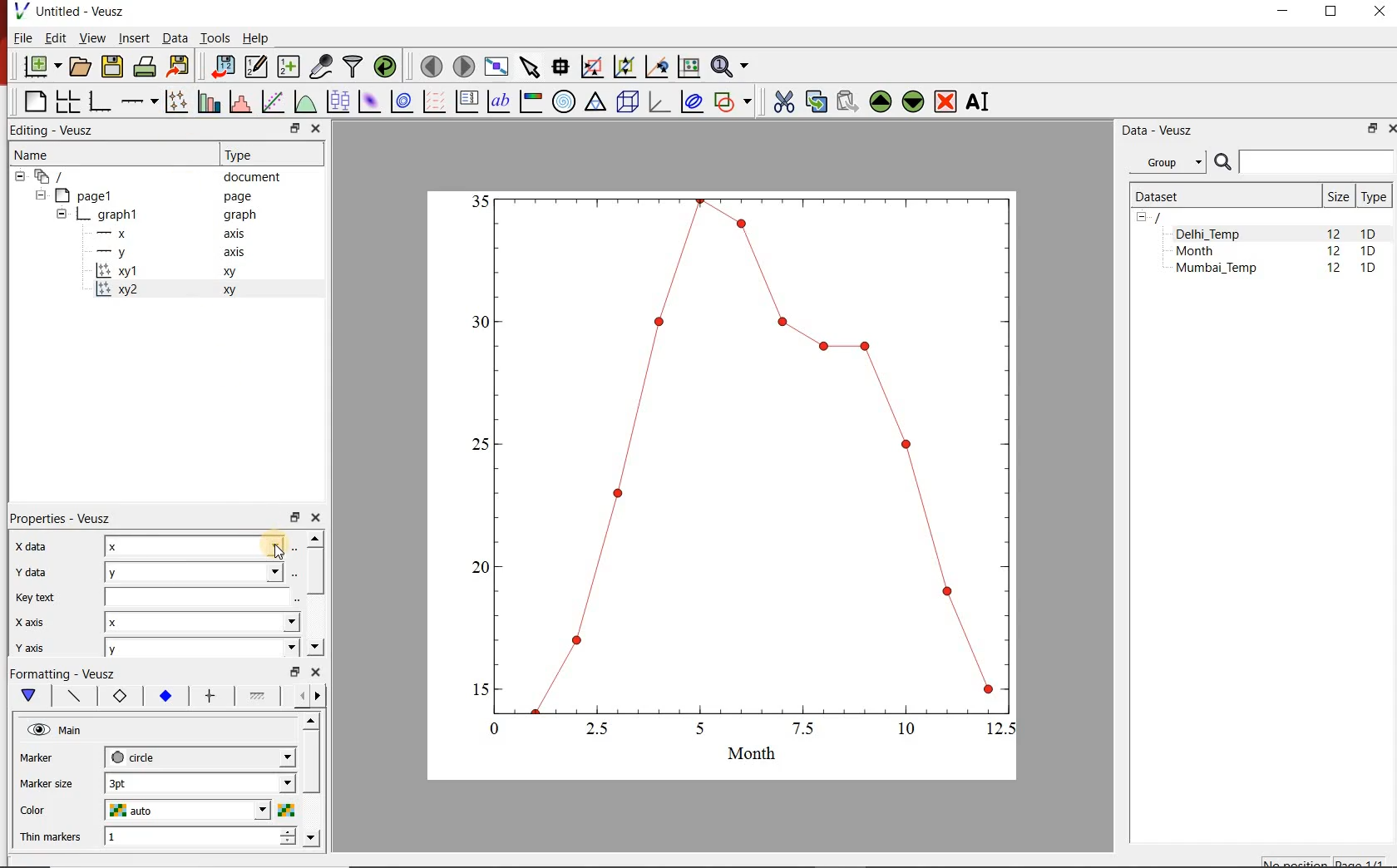 This screenshot has height=868, width=1397. What do you see at coordinates (402, 102) in the screenshot?
I see `plot a 2d dataset as contours` at bounding box center [402, 102].